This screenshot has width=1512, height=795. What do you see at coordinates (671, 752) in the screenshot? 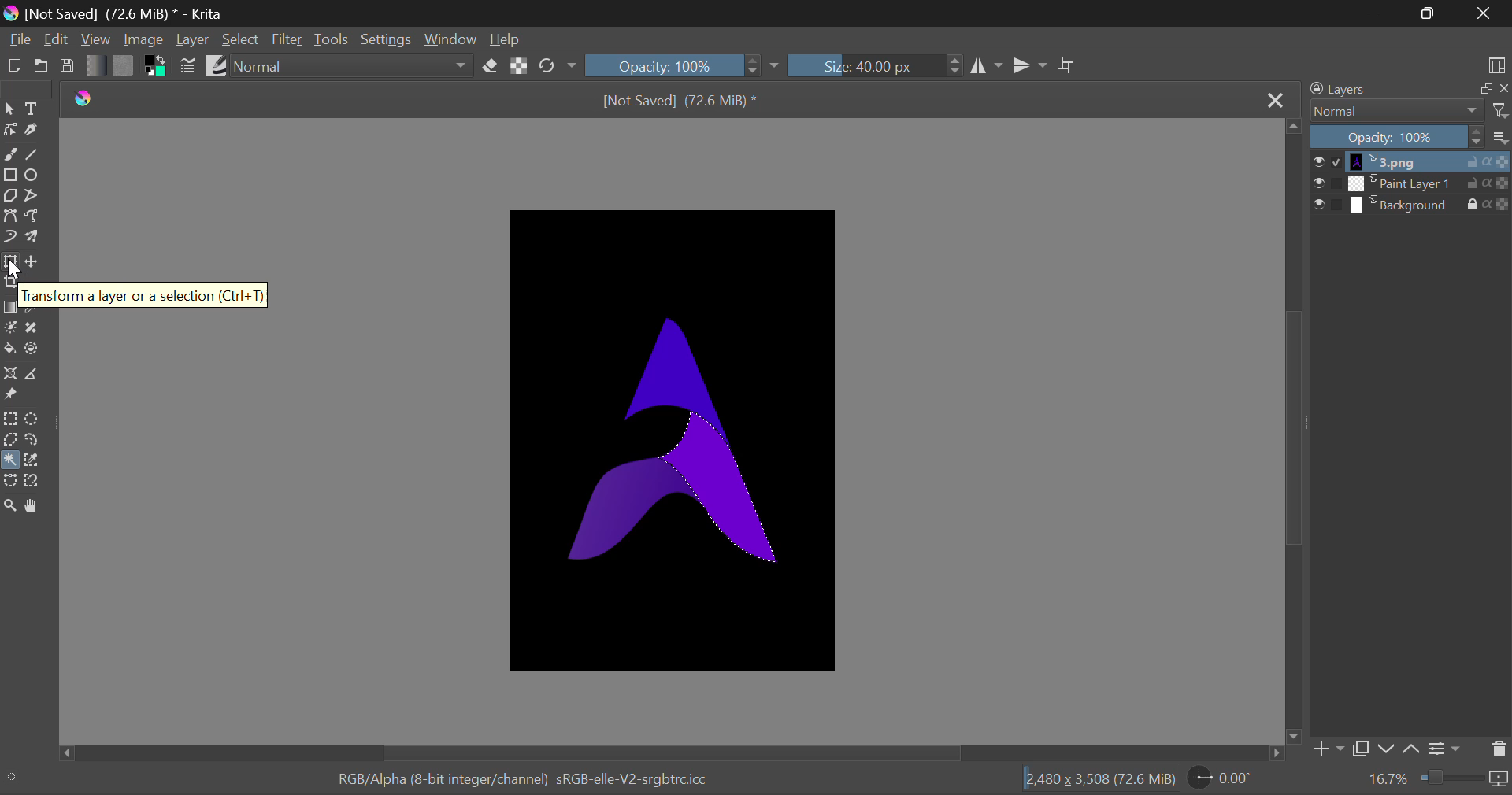
I see `Scroll Bar` at bounding box center [671, 752].